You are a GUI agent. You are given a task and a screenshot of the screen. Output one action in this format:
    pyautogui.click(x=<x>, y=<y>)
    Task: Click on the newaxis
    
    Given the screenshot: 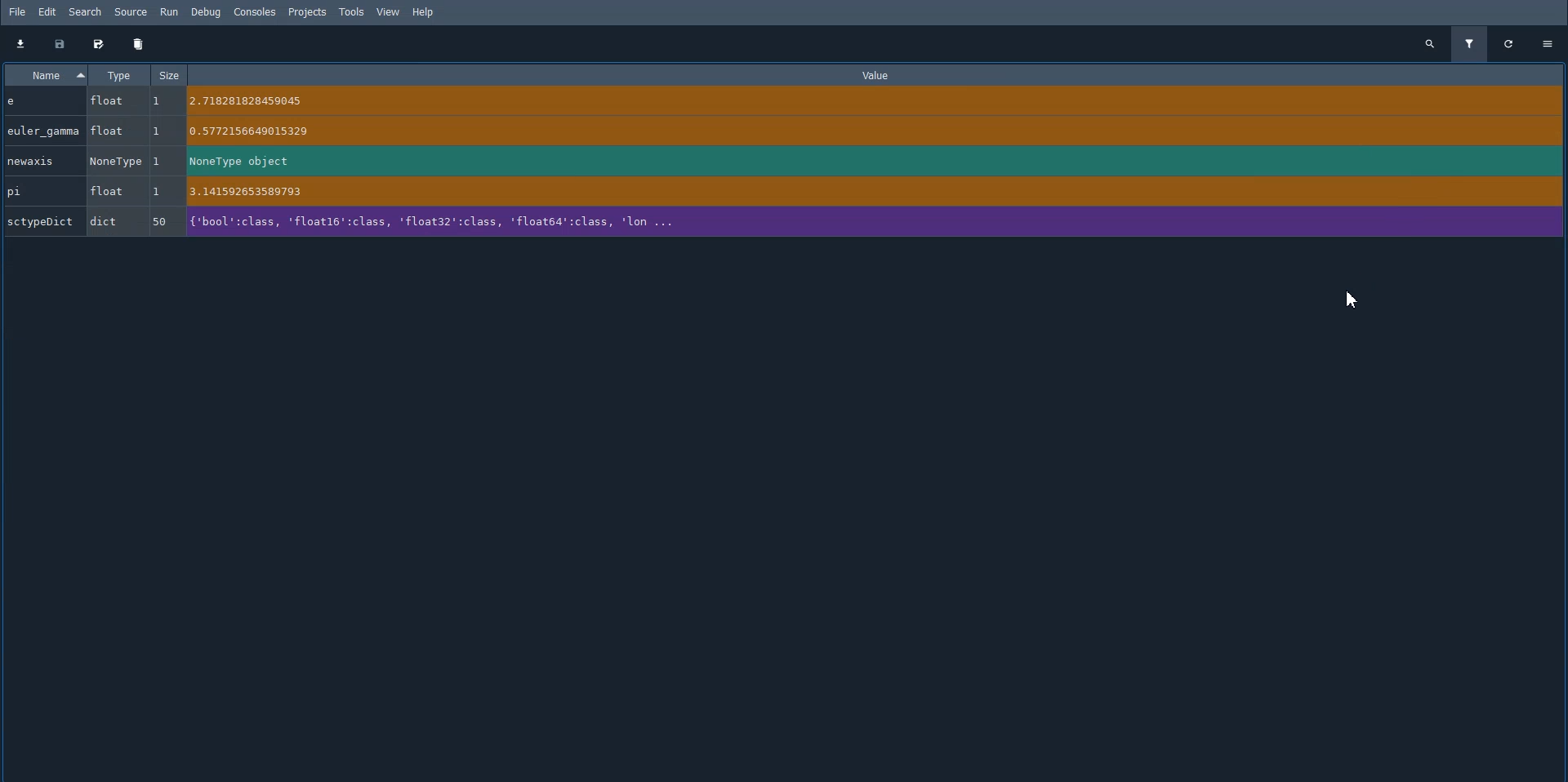 What is the action you would take?
    pyautogui.click(x=38, y=160)
    